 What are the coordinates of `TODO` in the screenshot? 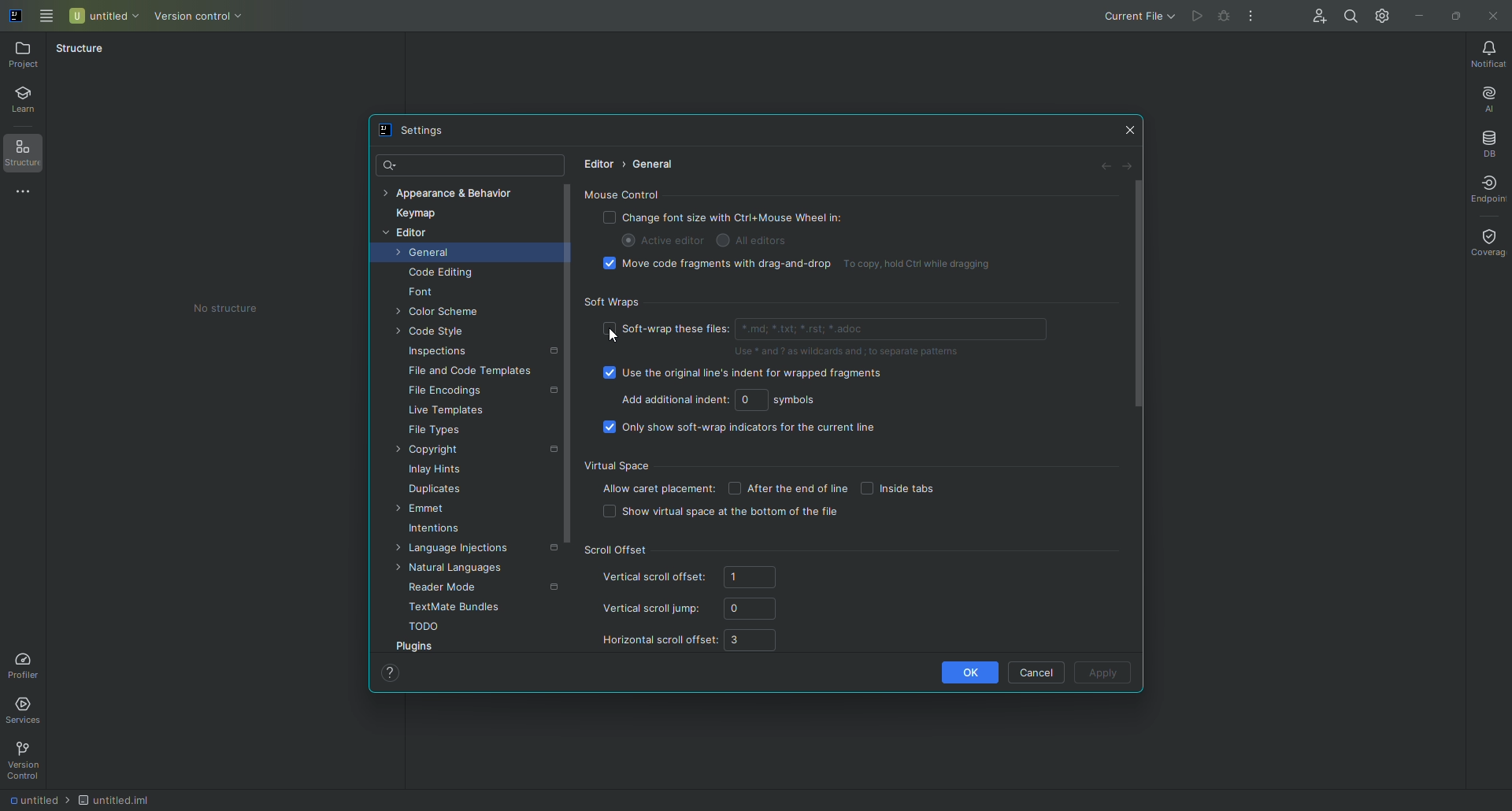 It's located at (425, 626).